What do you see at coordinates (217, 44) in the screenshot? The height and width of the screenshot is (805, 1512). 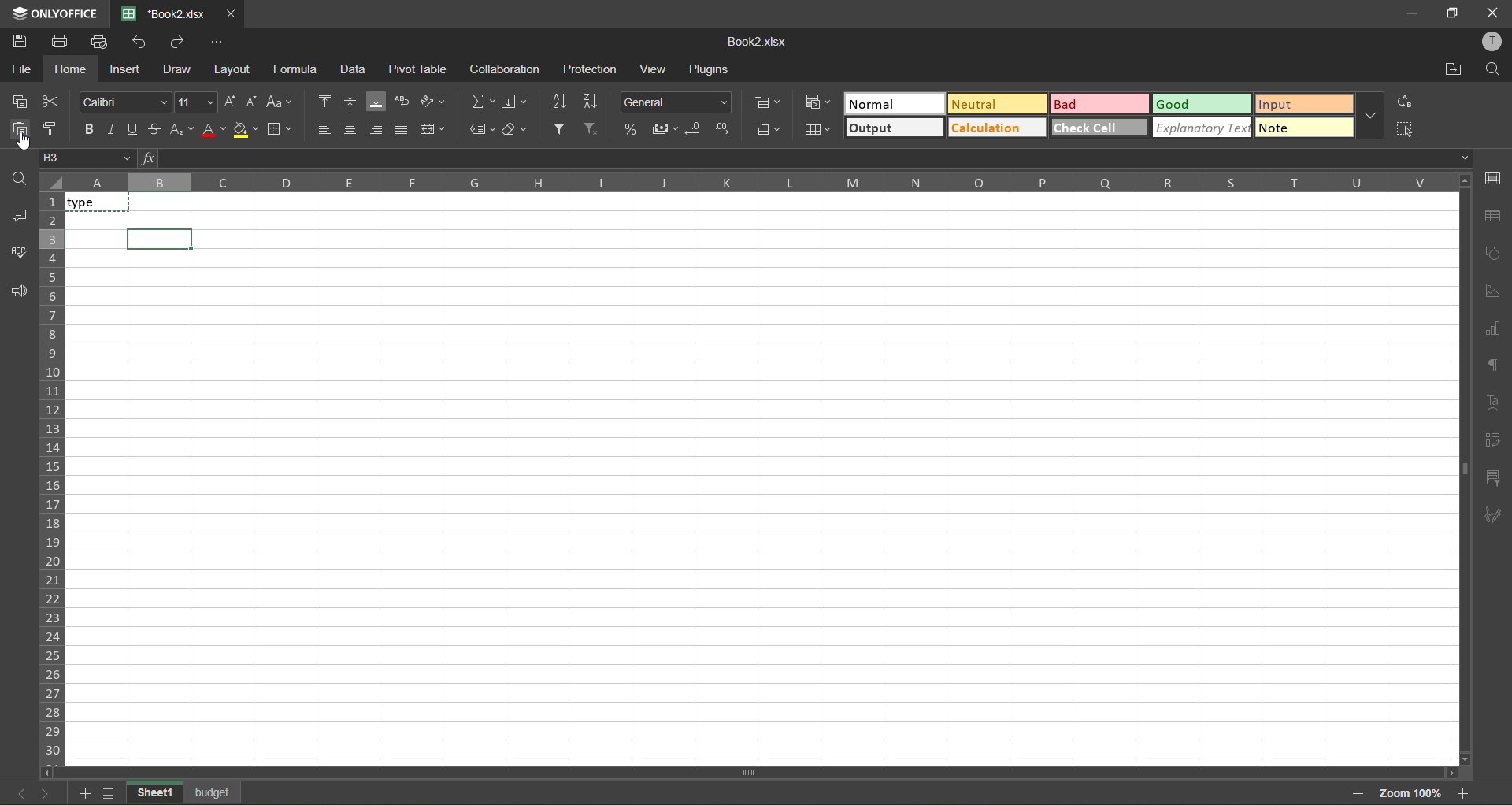 I see `customize quick access toolbar` at bounding box center [217, 44].